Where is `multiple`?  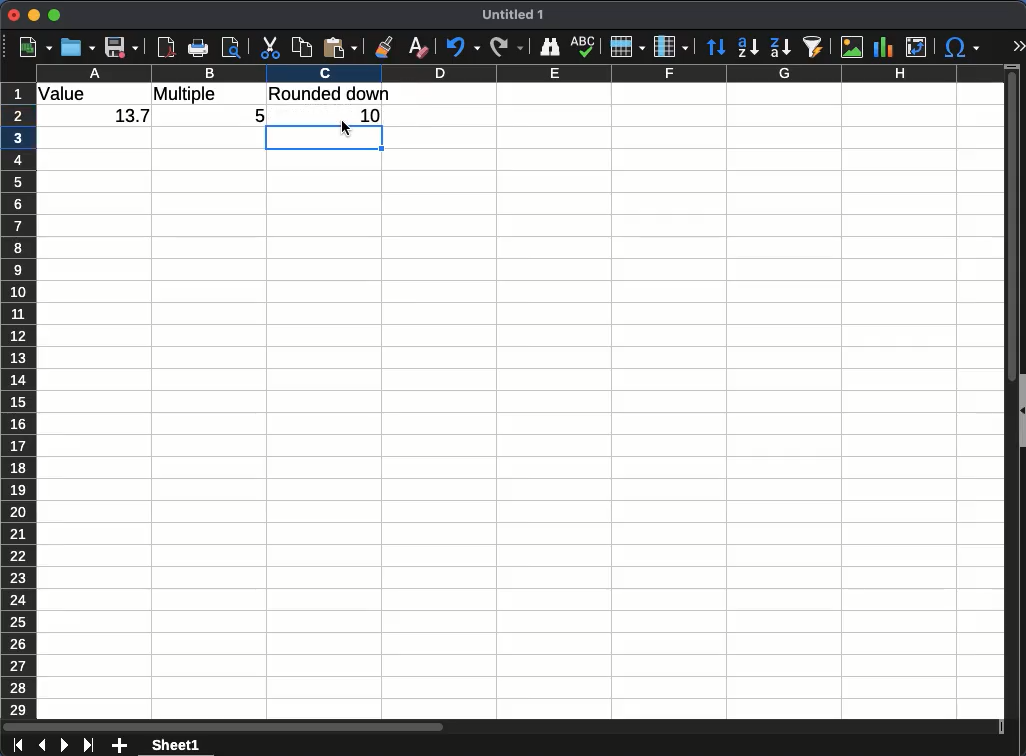
multiple is located at coordinates (188, 94).